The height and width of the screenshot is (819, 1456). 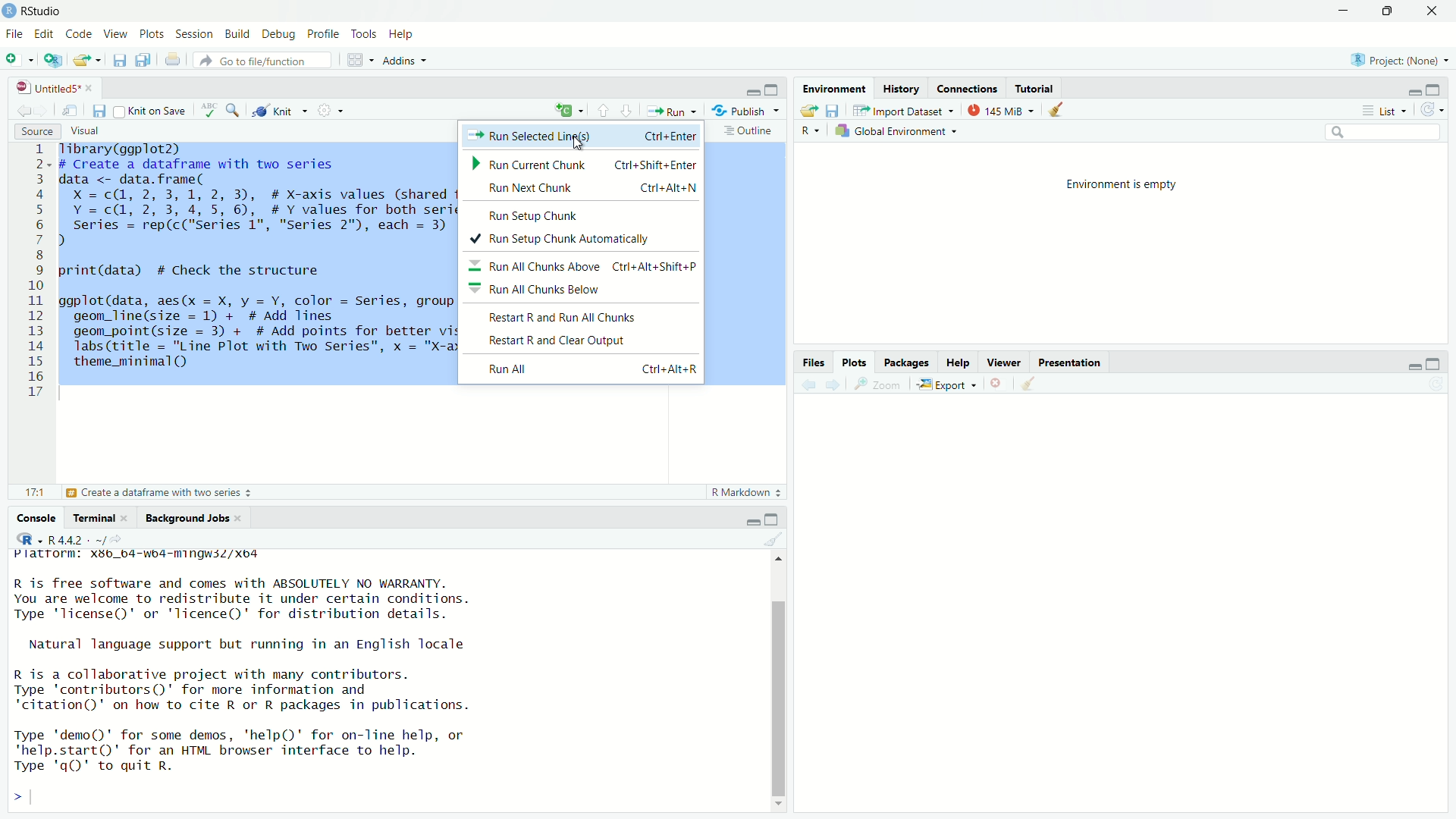 I want to click on R, so click(x=811, y=132).